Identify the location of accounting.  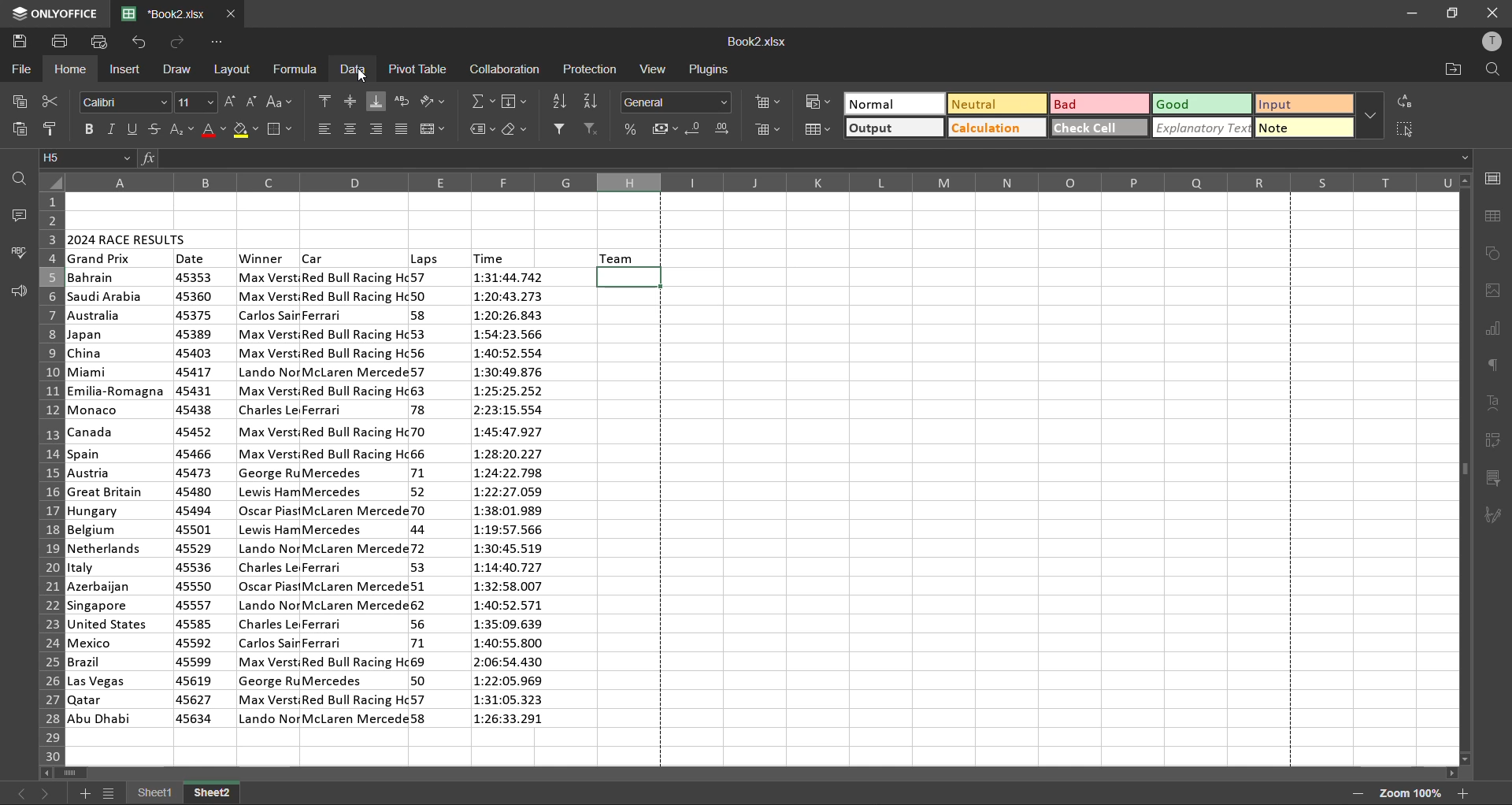
(664, 130).